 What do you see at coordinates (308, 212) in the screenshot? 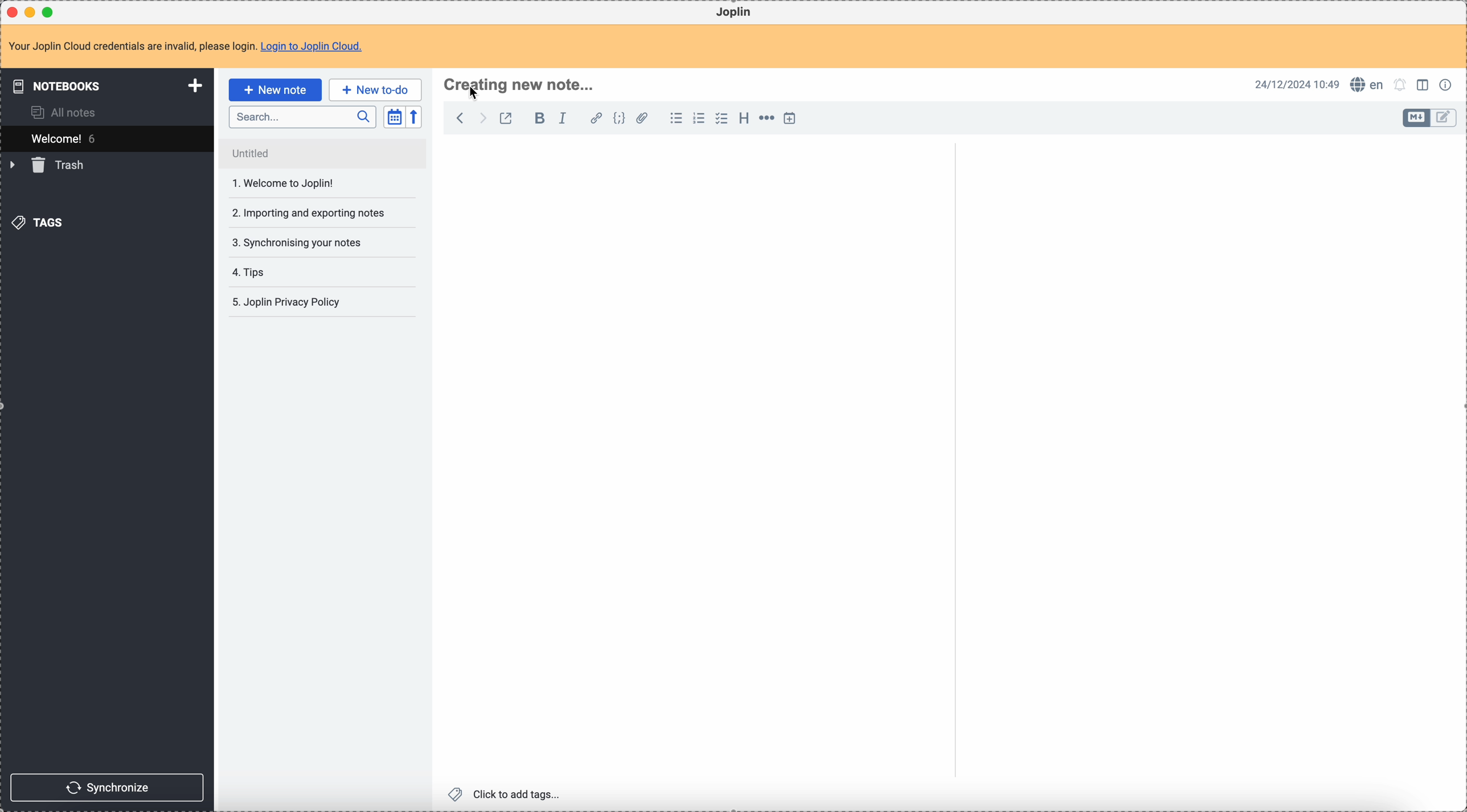
I see `importing and exporting notes` at bounding box center [308, 212].